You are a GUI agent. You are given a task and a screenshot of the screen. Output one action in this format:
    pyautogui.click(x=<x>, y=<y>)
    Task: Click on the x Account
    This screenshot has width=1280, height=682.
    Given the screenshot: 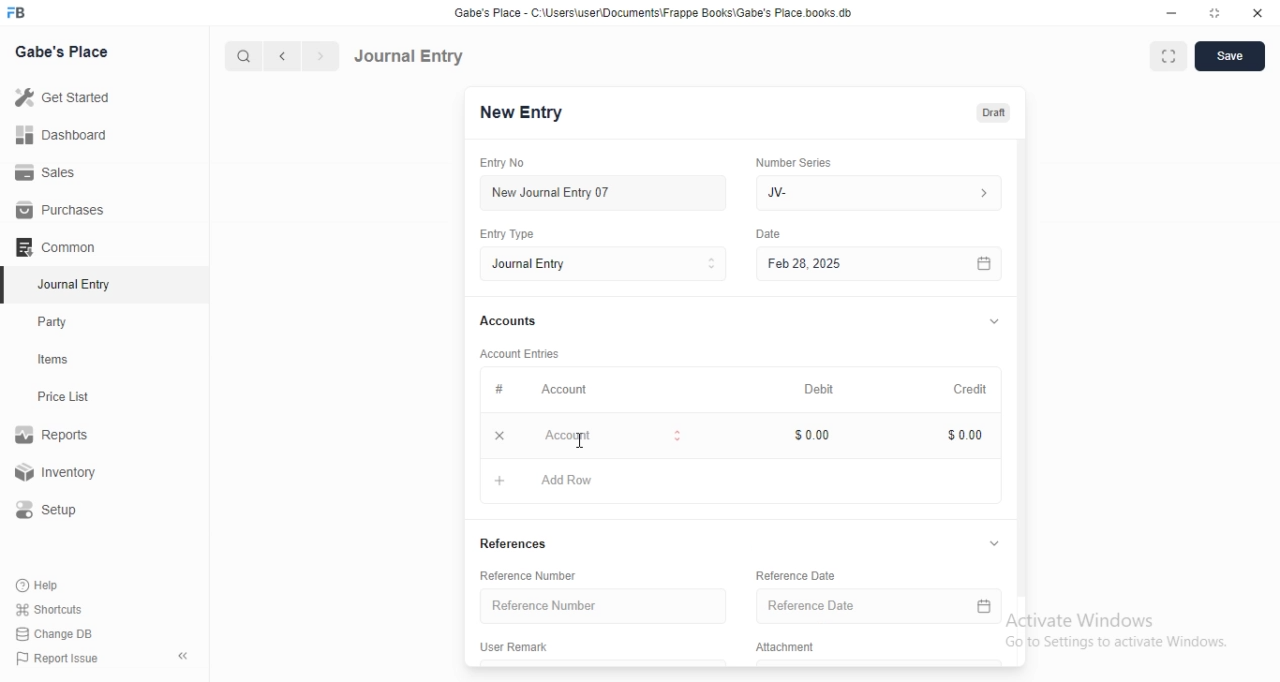 What is the action you would take?
    pyautogui.click(x=585, y=438)
    